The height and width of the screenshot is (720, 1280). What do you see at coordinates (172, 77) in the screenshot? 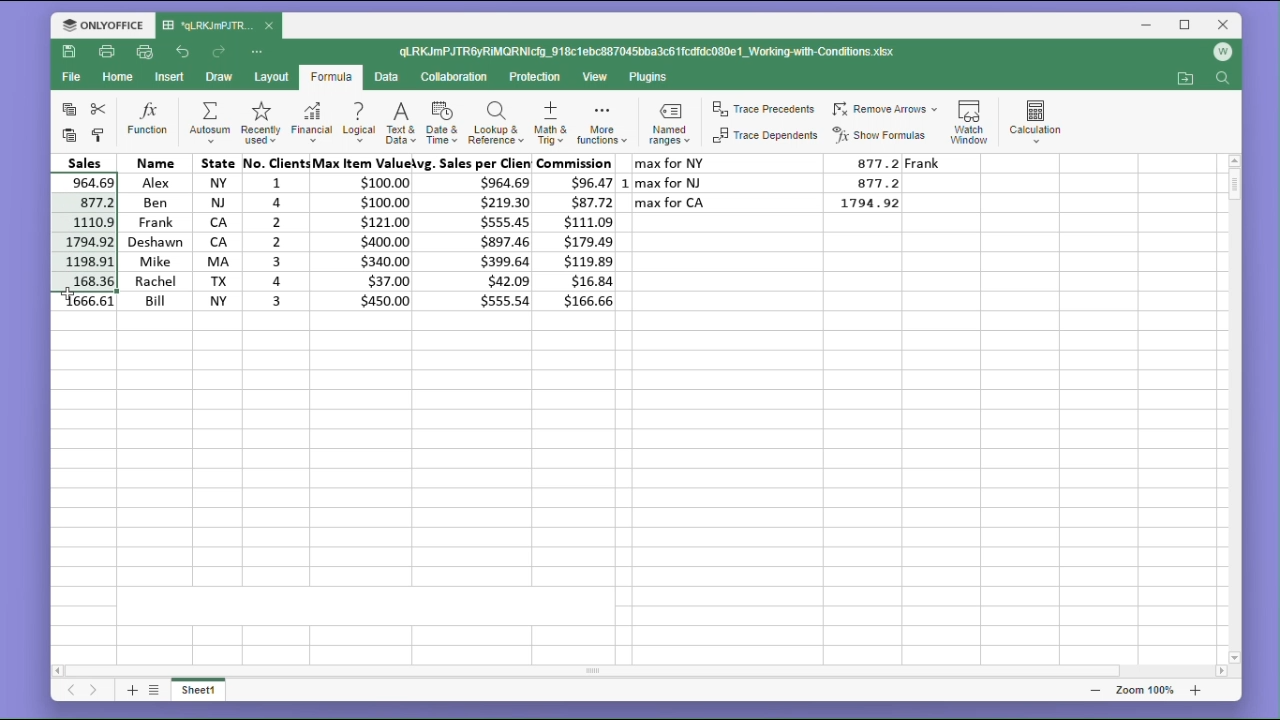
I see `insert` at bounding box center [172, 77].